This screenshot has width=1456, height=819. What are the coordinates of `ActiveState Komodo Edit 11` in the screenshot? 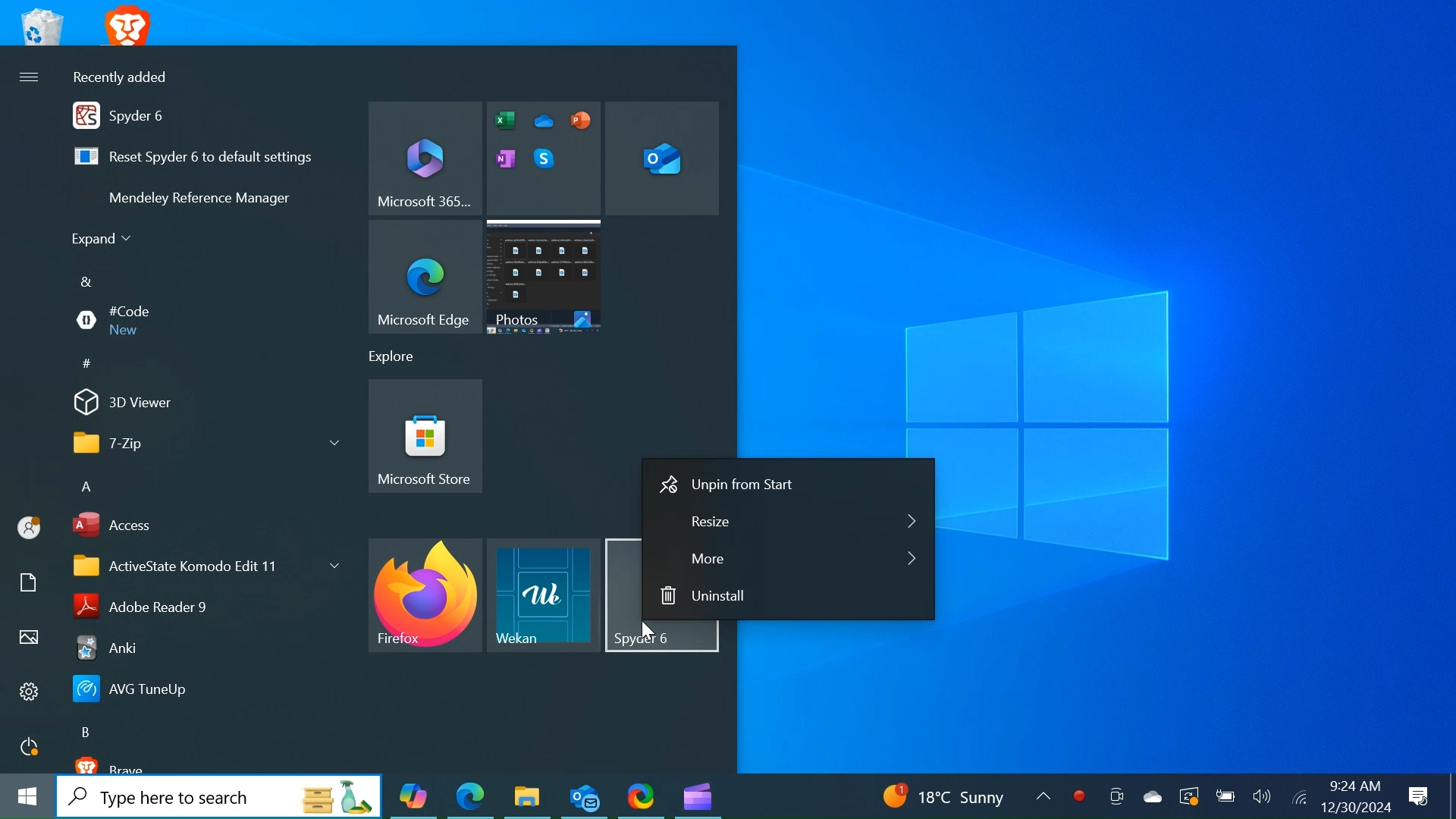 It's located at (203, 565).